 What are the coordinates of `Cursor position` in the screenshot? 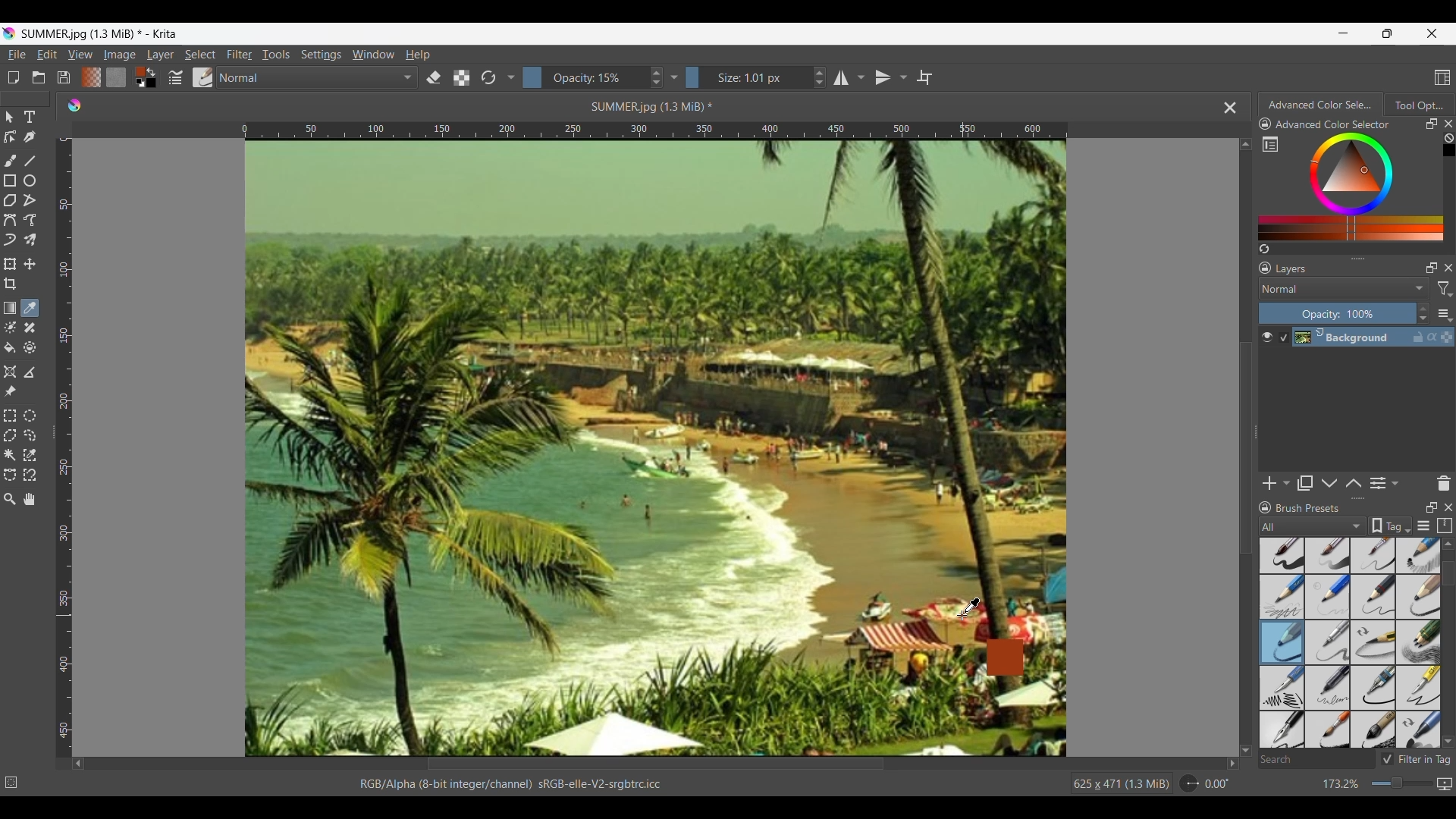 It's located at (969, 609).